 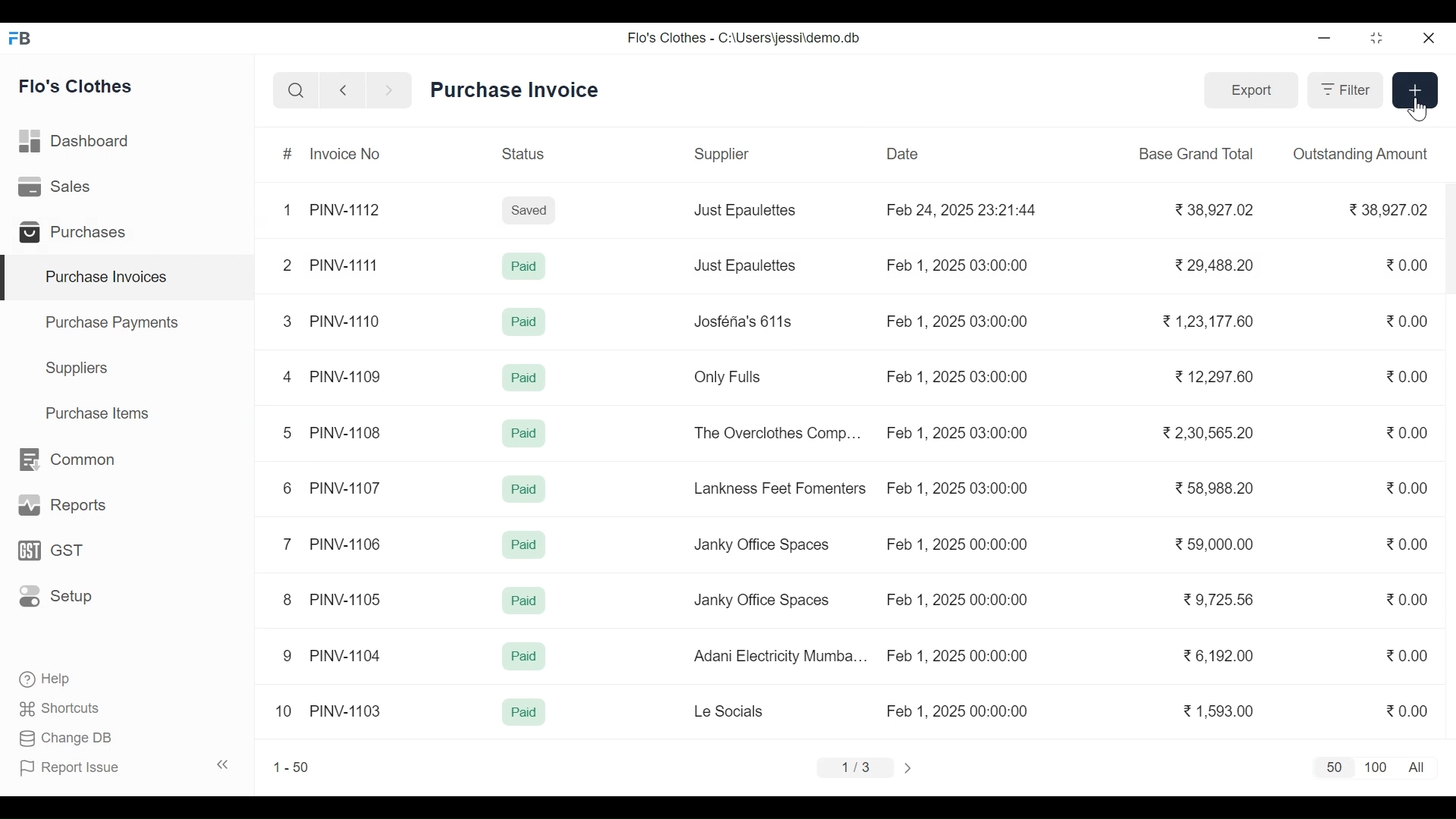 What do you see at coordinates (60, 710) in the screenshot?
I see `Shortcuts` at bounding box center [60, 710].